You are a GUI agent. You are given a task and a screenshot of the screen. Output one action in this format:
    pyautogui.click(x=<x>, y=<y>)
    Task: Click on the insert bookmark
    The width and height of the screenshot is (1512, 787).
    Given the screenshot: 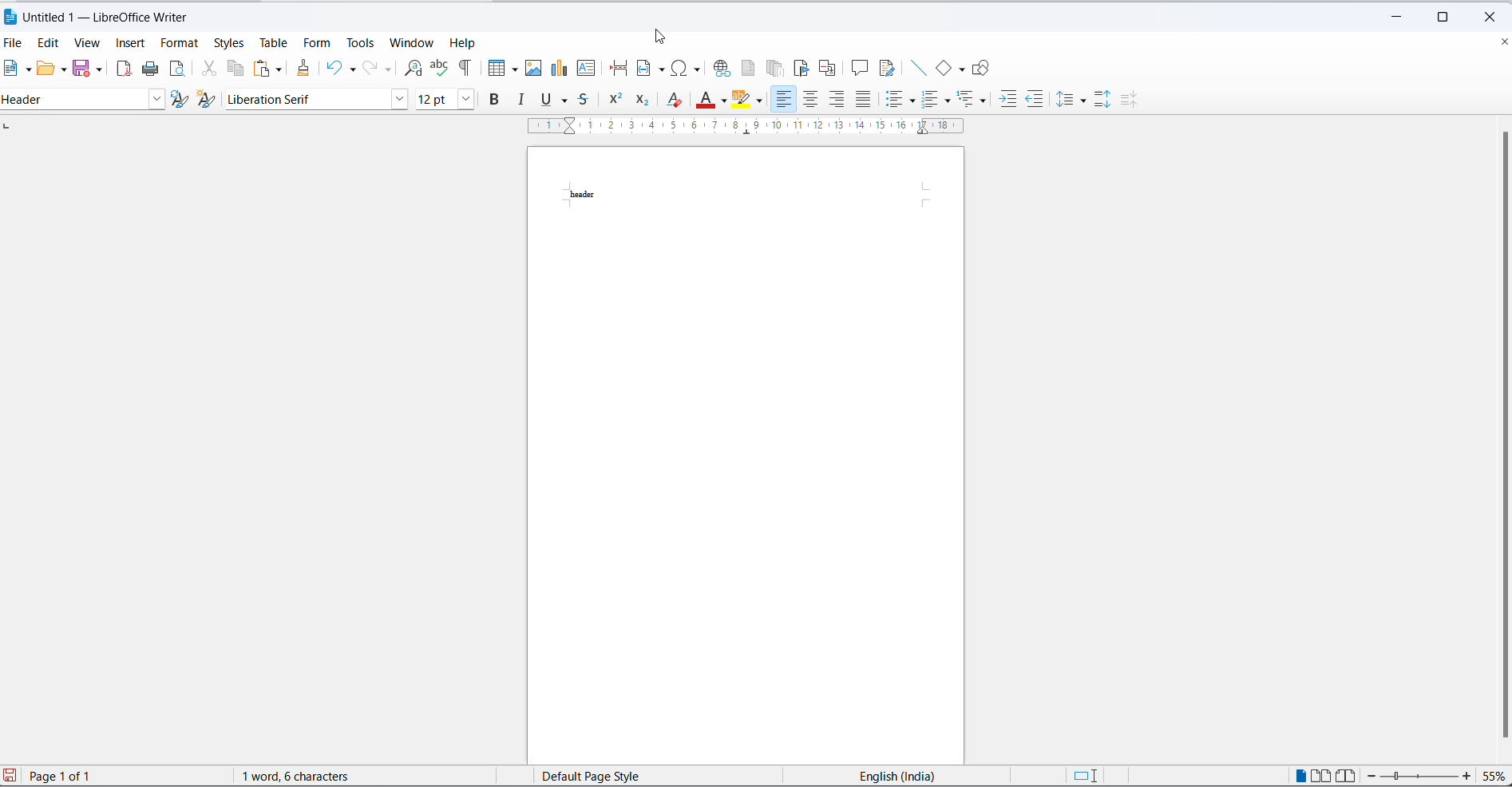 What is the action you would take?
    pyautogui.click(x=802, y=69)
    